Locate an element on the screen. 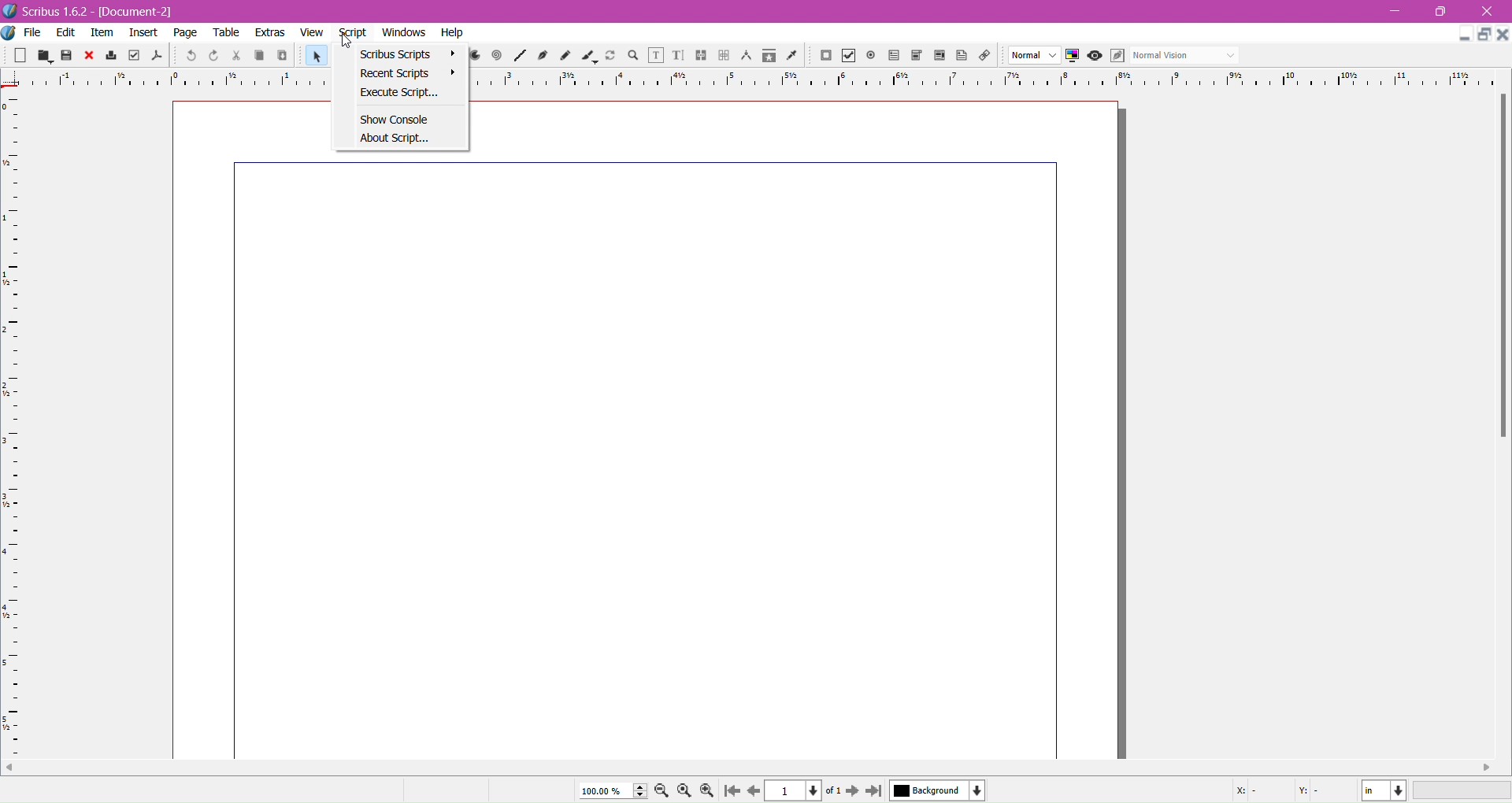  Recent Scripts is located at coordinates (406, 73).